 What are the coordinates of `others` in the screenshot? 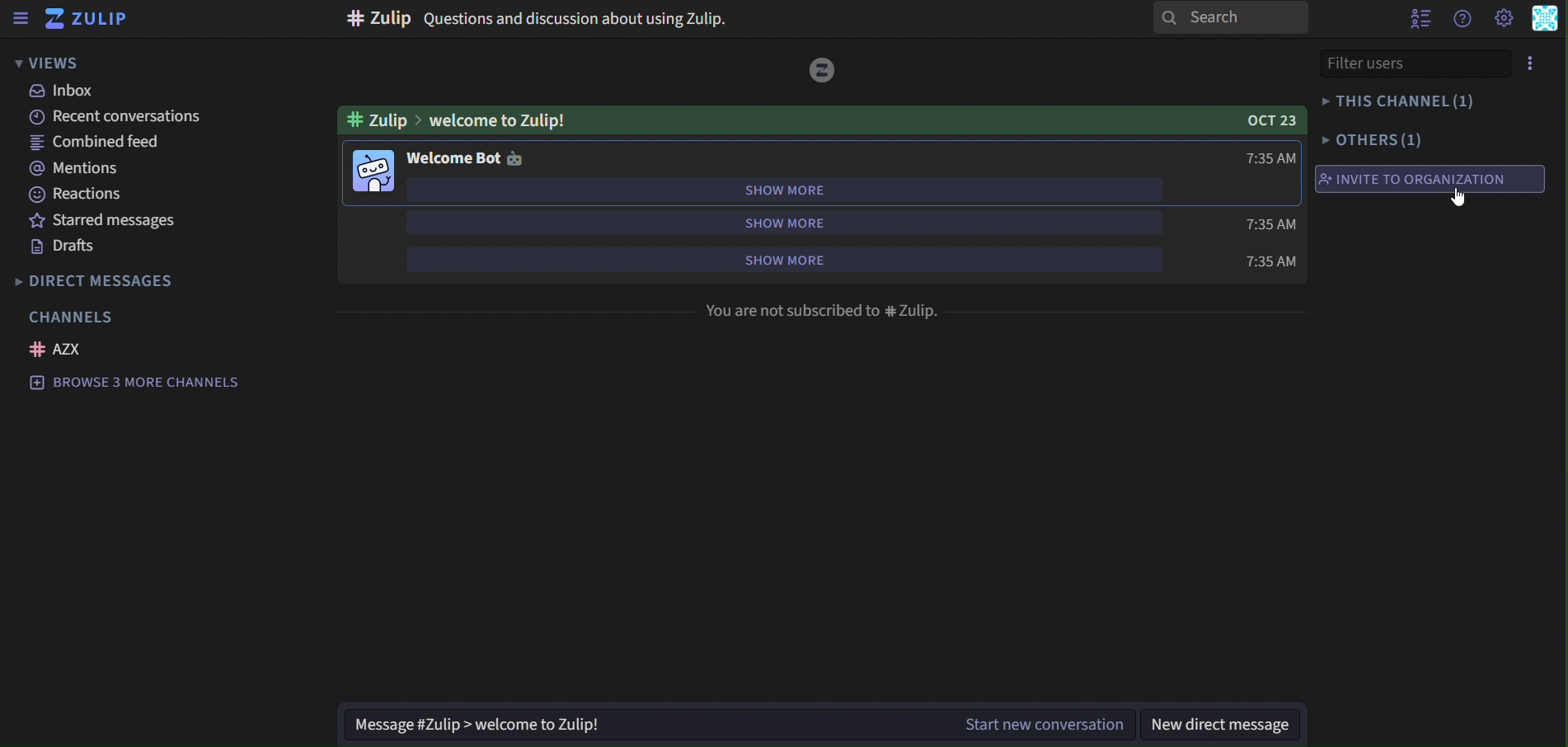 It's located at (1375, 139).